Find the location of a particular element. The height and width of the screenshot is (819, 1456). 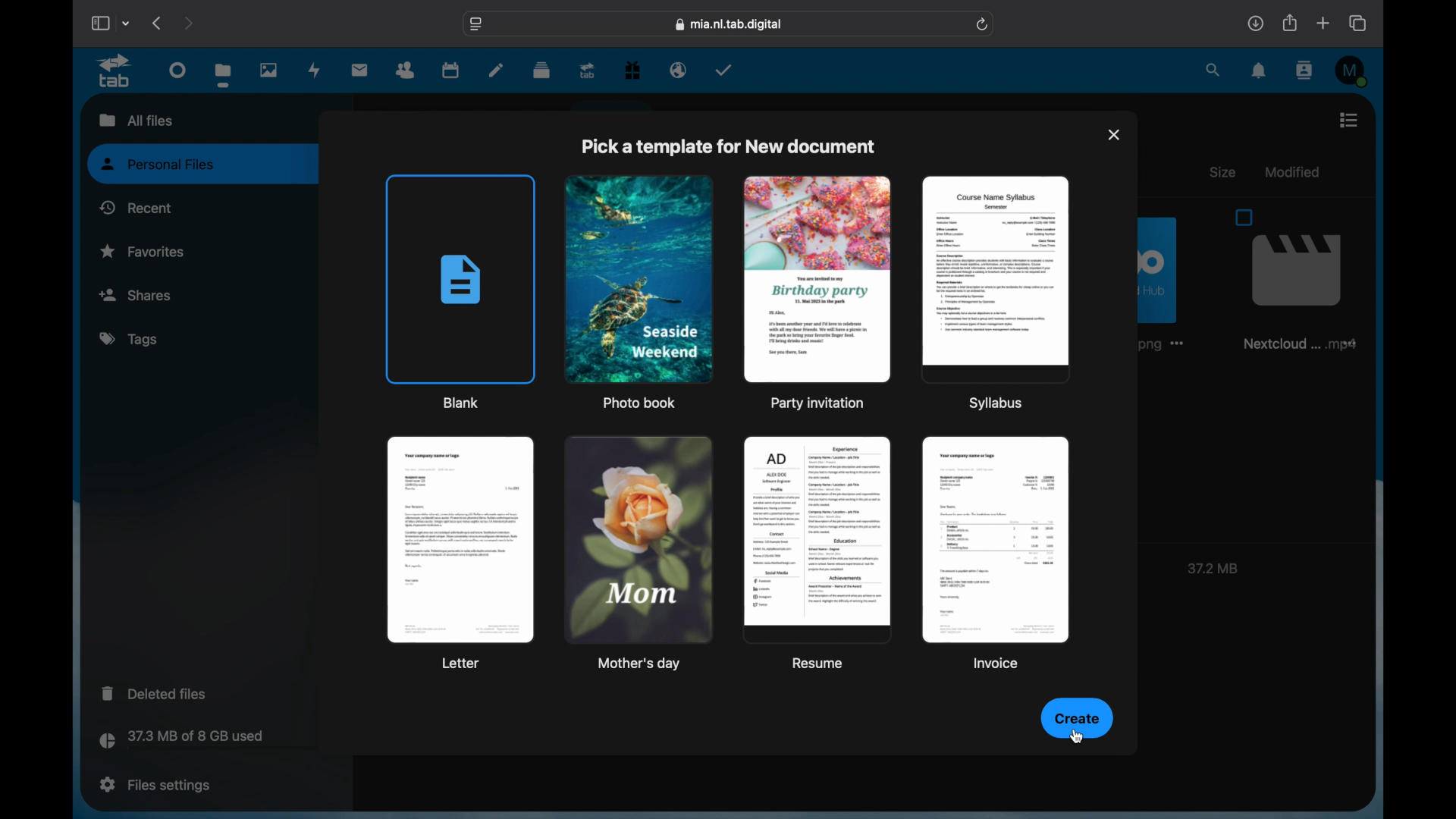

party invitation is located at coordinates (816, 293).